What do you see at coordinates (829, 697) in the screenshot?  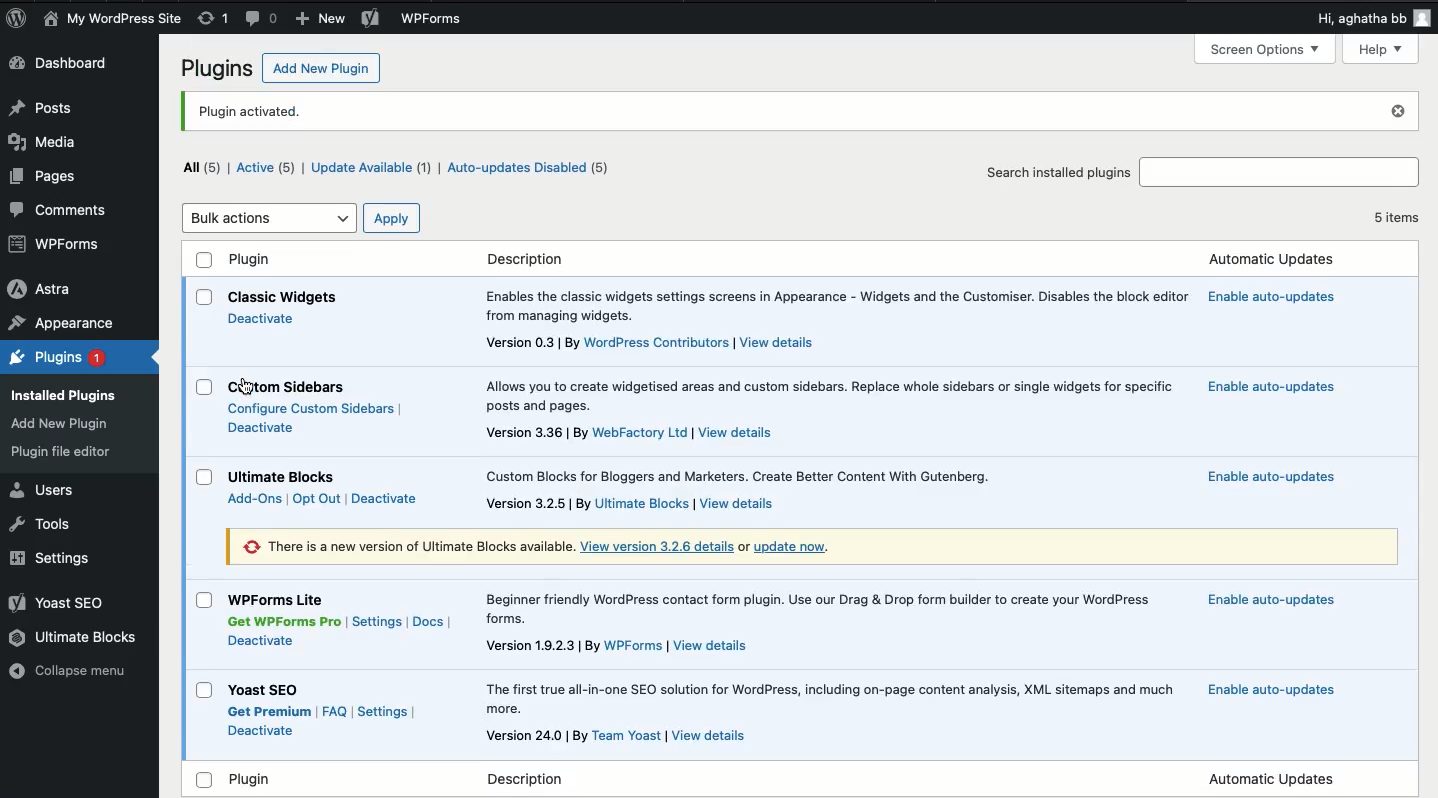 I see `description` at bounding box center [829, 697].